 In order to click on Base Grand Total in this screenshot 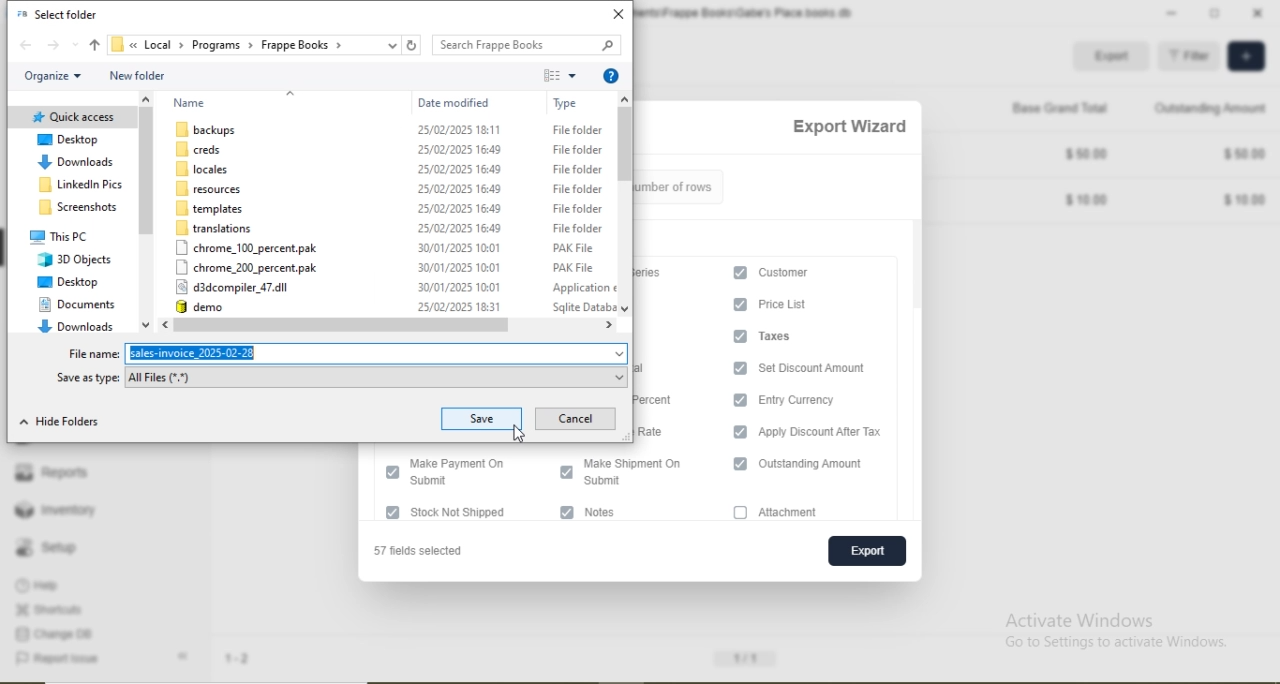, I will do `click(1052, 107)`.